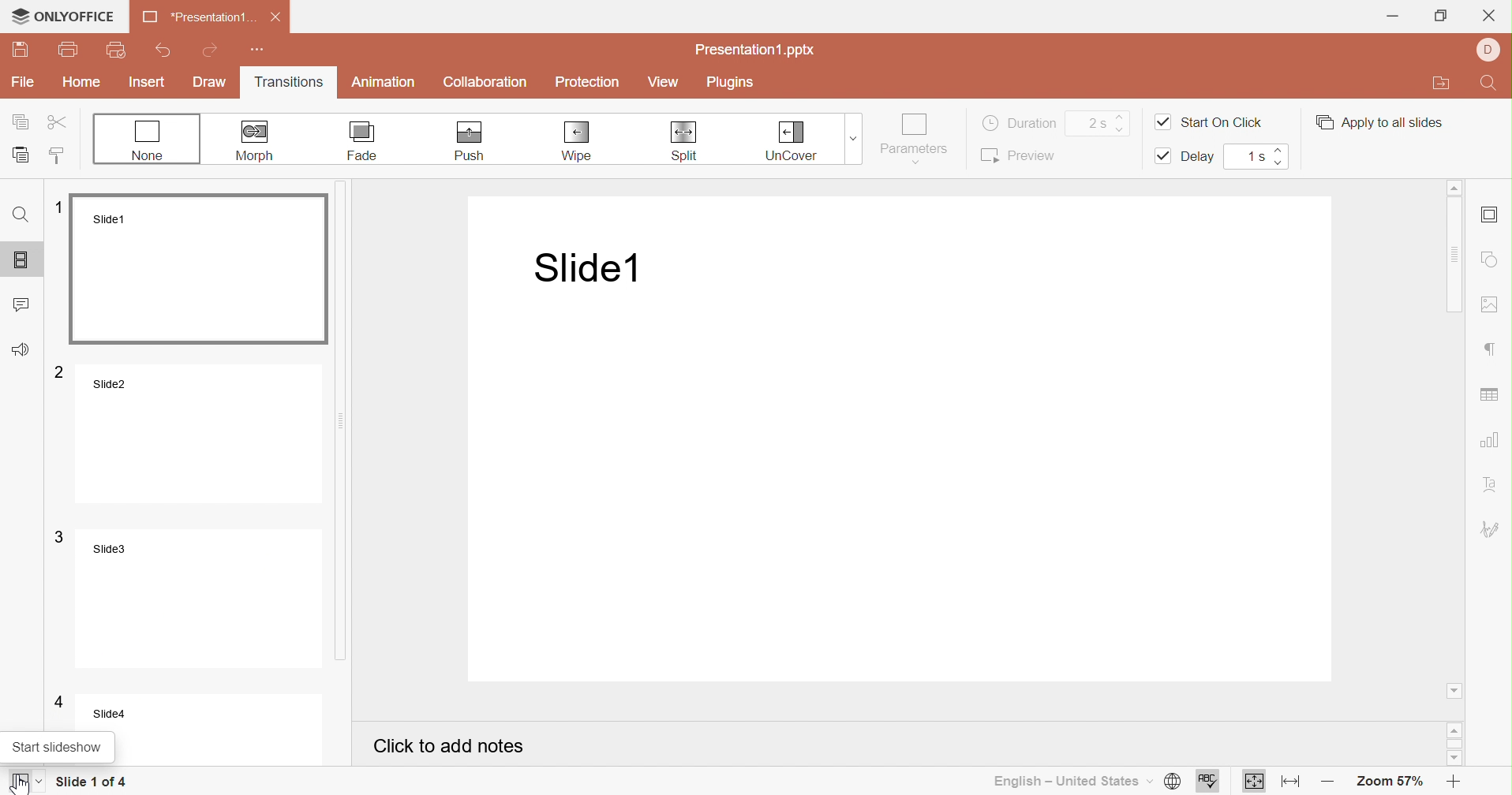 The width and height of the screenshot is (1512, 795). Describe the element at coordinates (186, 596) in the screenshot. I see `Slide3` at that location.